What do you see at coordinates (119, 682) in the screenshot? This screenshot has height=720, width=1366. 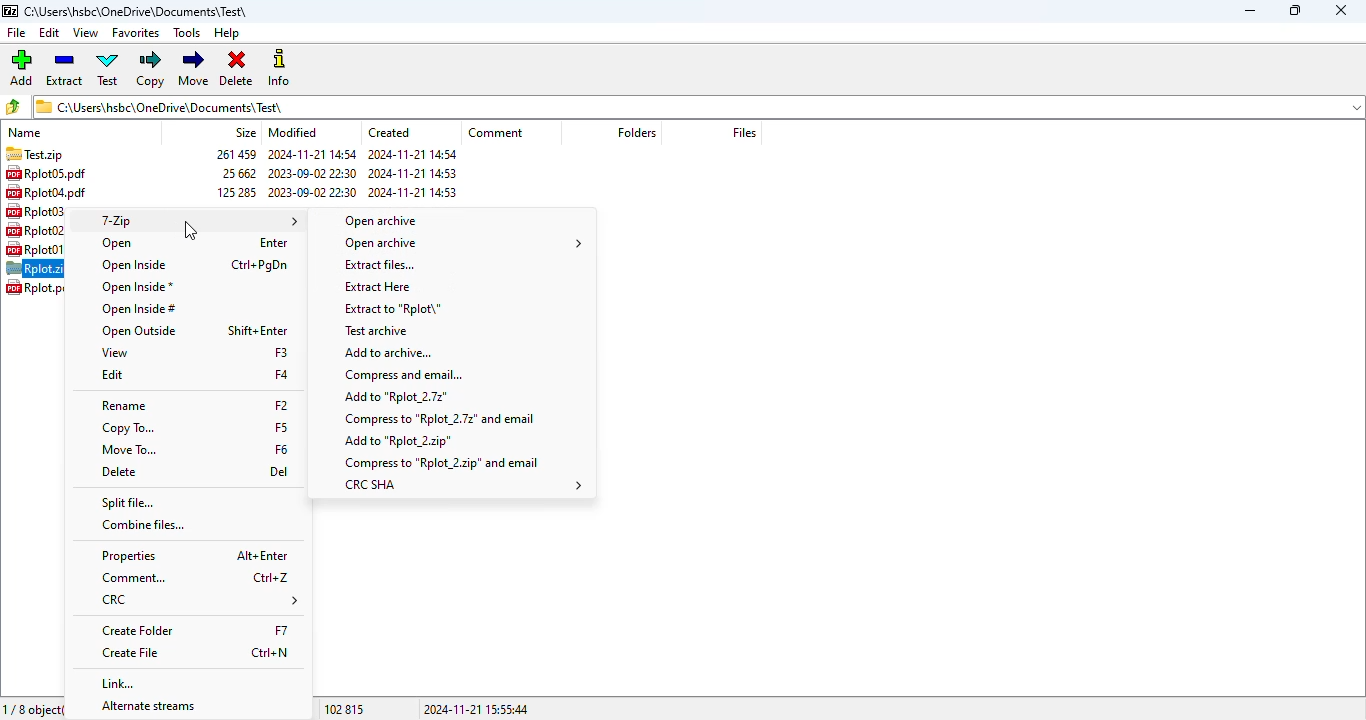 I see `link` at bounding box center [119, 682].